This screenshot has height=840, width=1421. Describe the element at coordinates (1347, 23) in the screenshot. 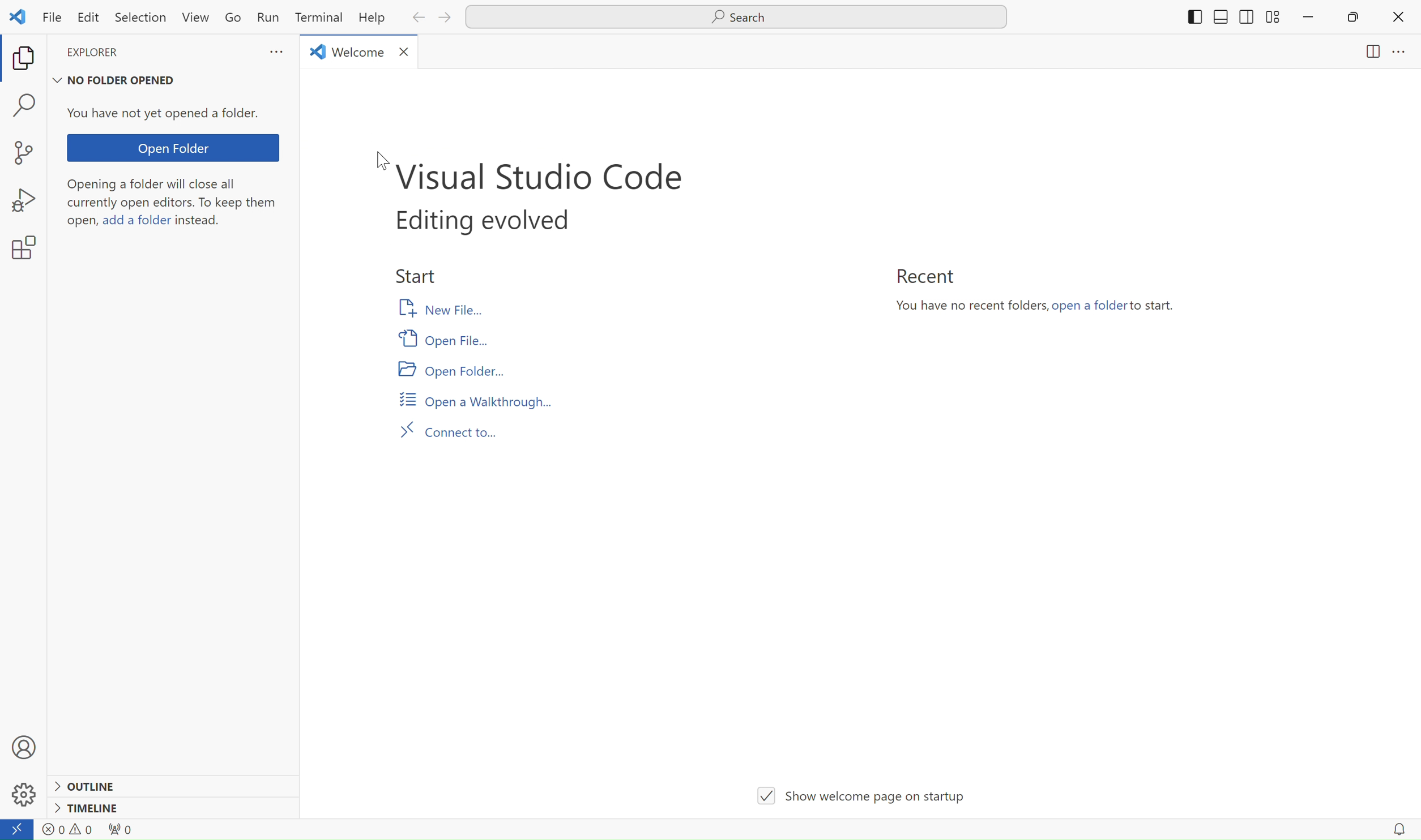

I see `restore down` at that location.